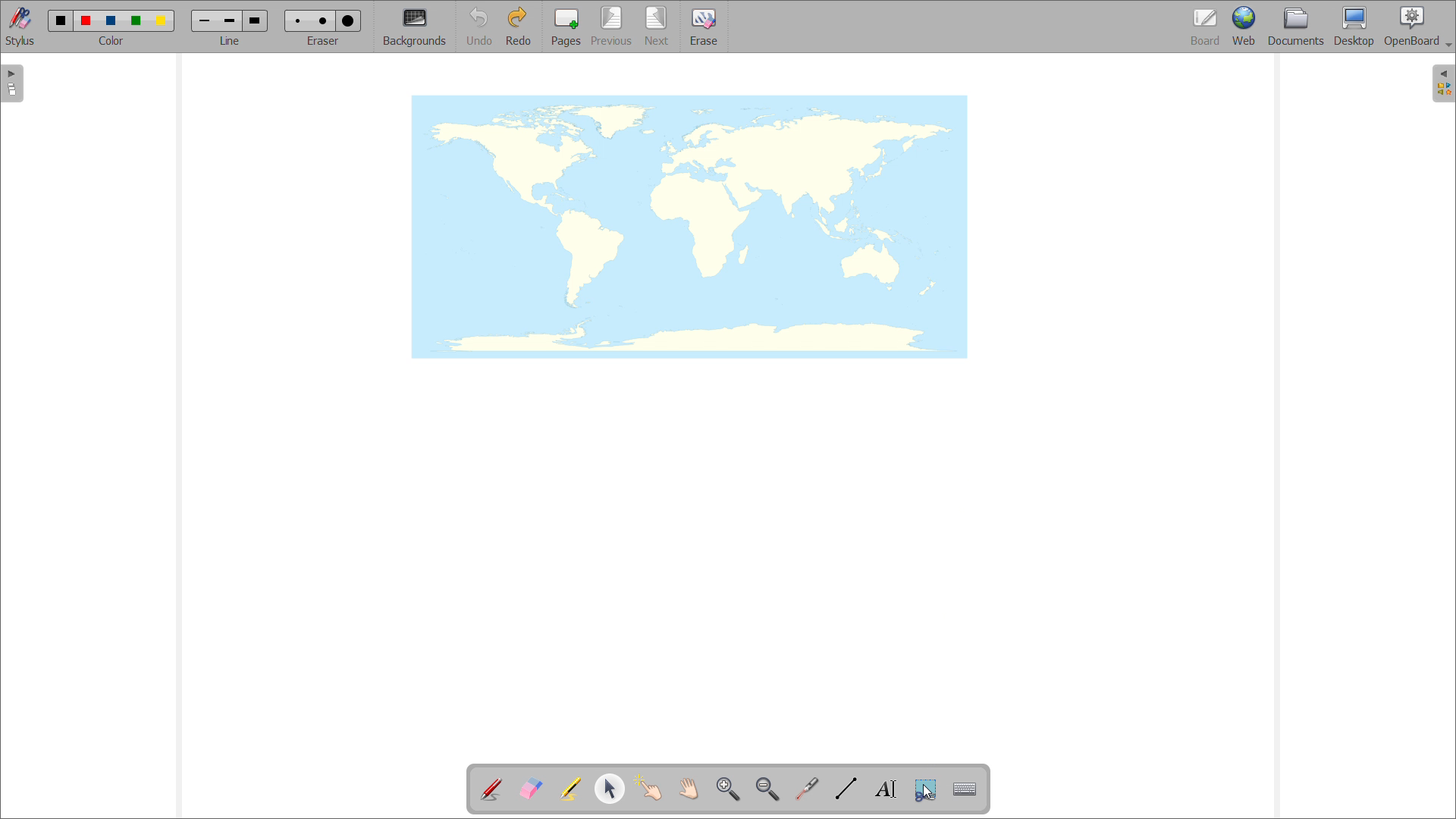 The width and height of the screenshot is (1456, 819). Describe the element at coordinates (886, 789) in the screenshot. I see `write text` at that location.